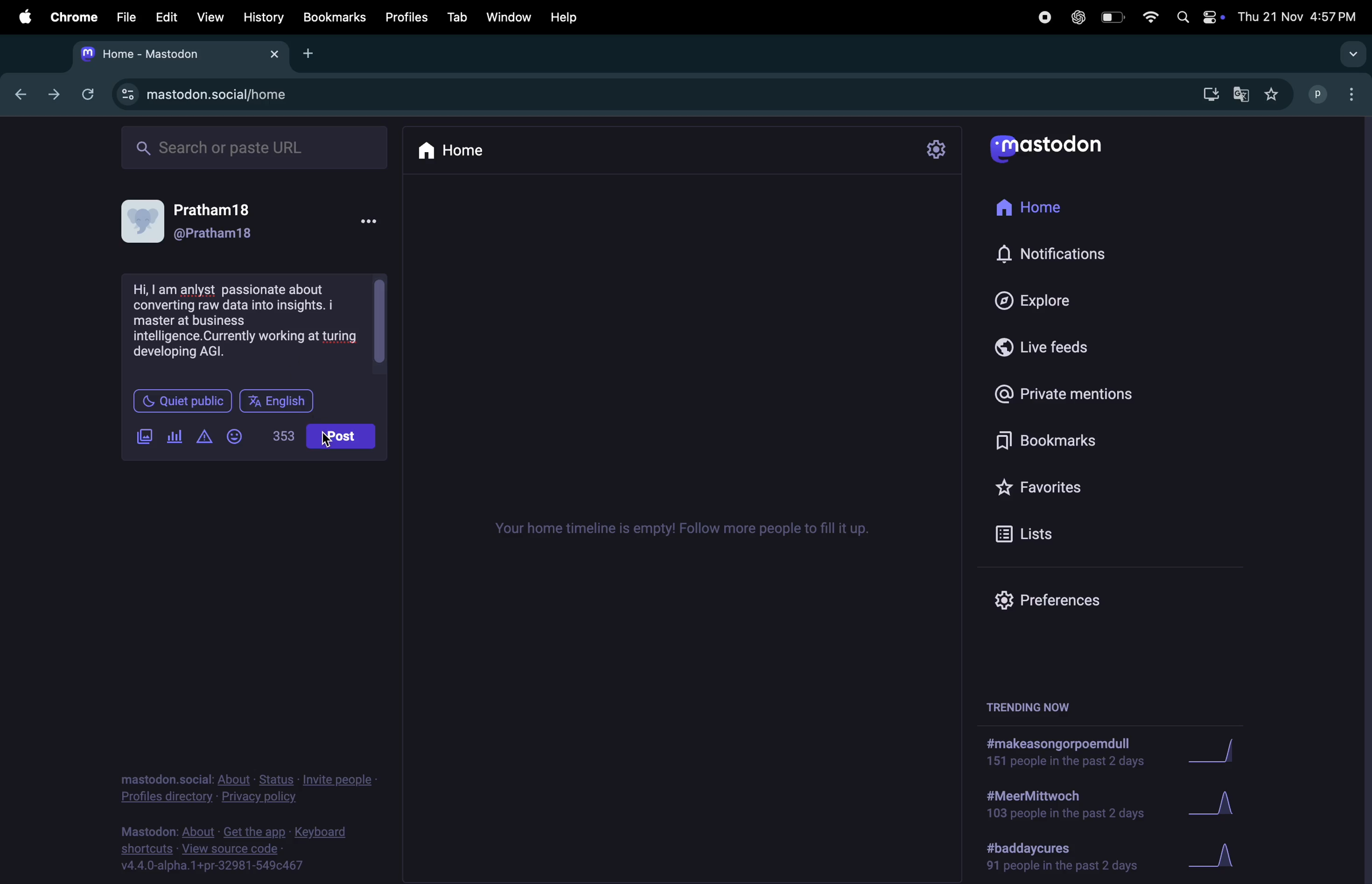 Image resolution: width=1372 pixels, height=884 pixels. I want to click on add pole, so click(174, 432).